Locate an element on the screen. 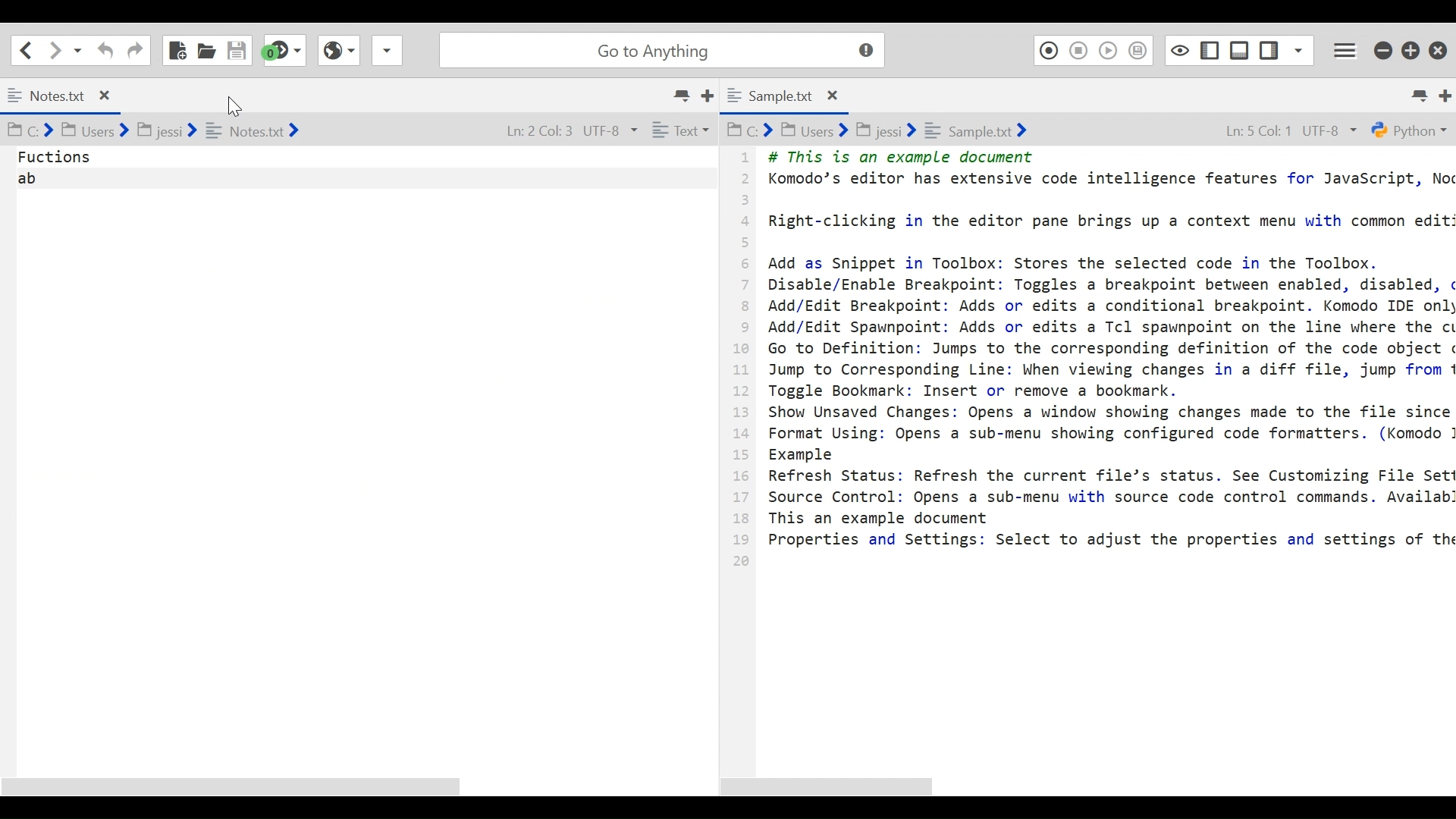  Click to go forward one location is located at coordinates (55, 50).